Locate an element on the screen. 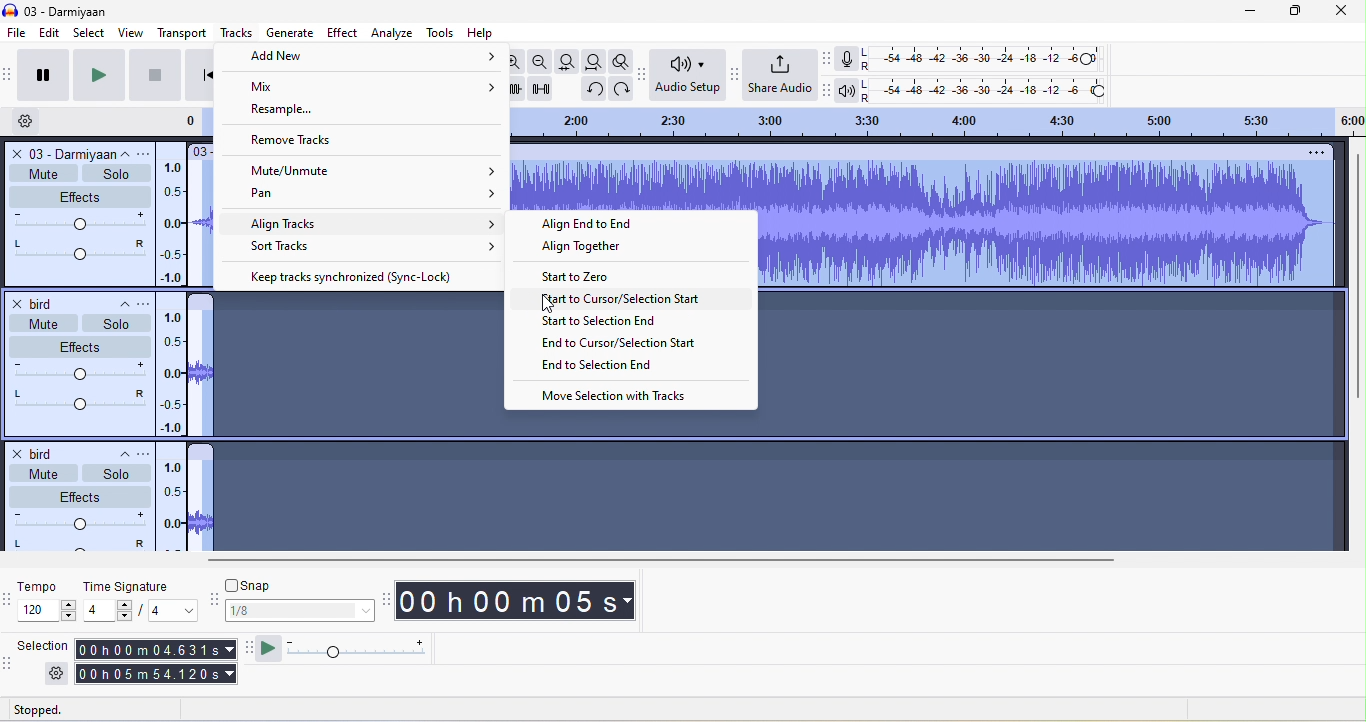 Image resolution: width=1366 pixels, height=722 pixels. Cursor on align tracks is located at coordinates (373, 223).